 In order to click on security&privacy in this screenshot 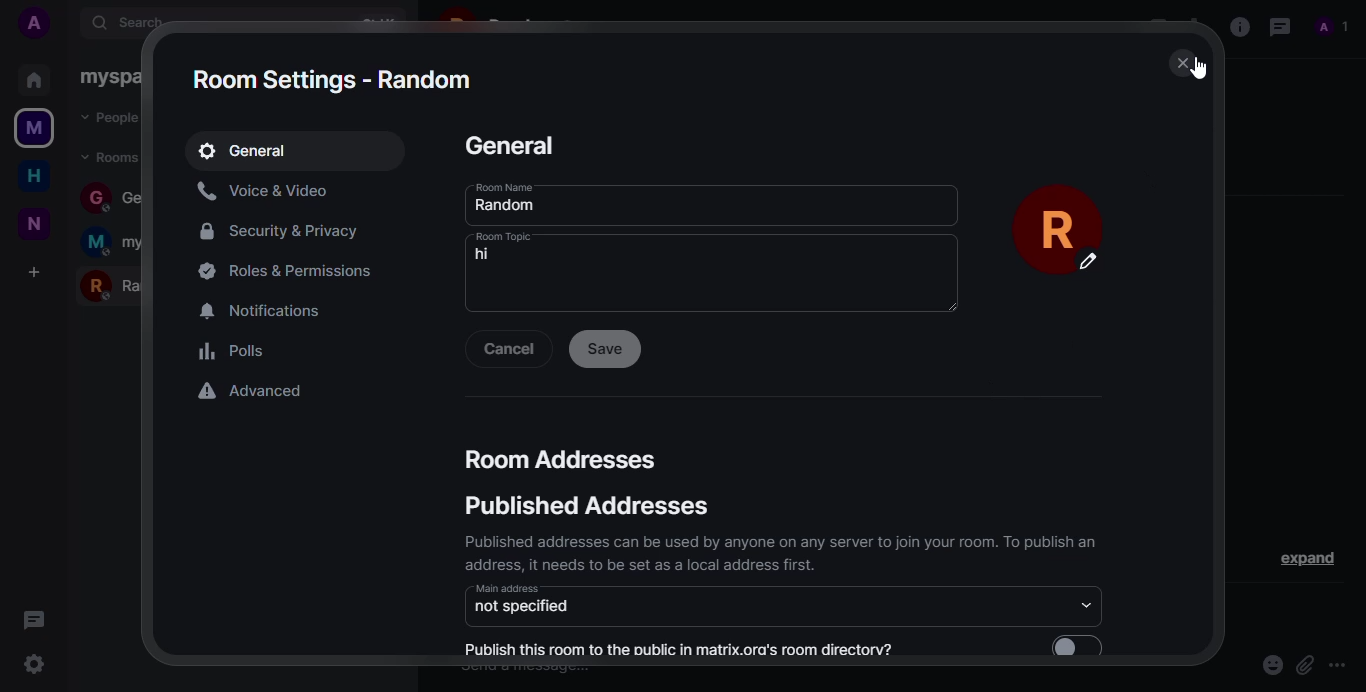, I will do `click(296, 231)`.